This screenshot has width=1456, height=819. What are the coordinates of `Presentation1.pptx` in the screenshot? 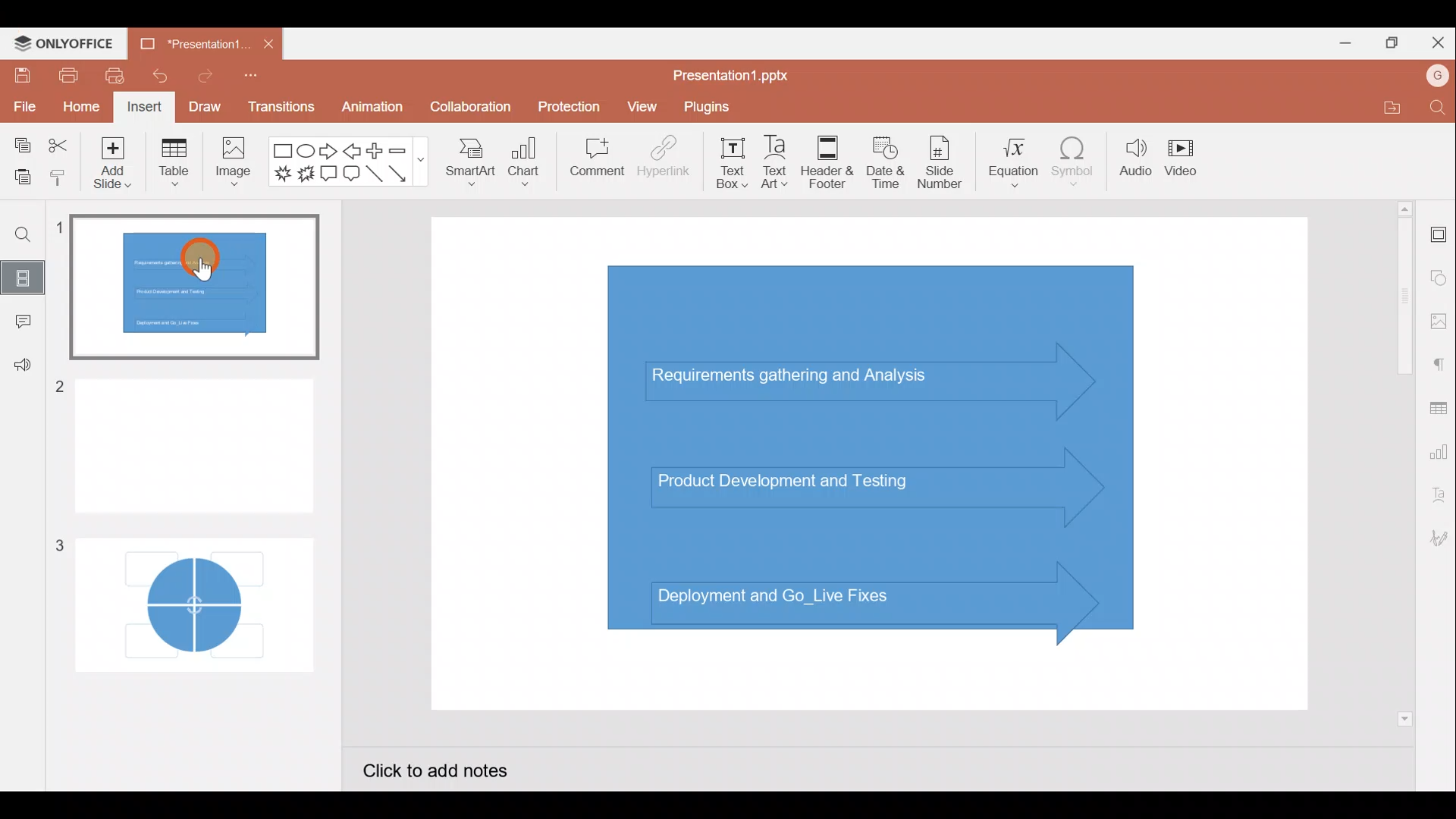 It's located at (739, 74).